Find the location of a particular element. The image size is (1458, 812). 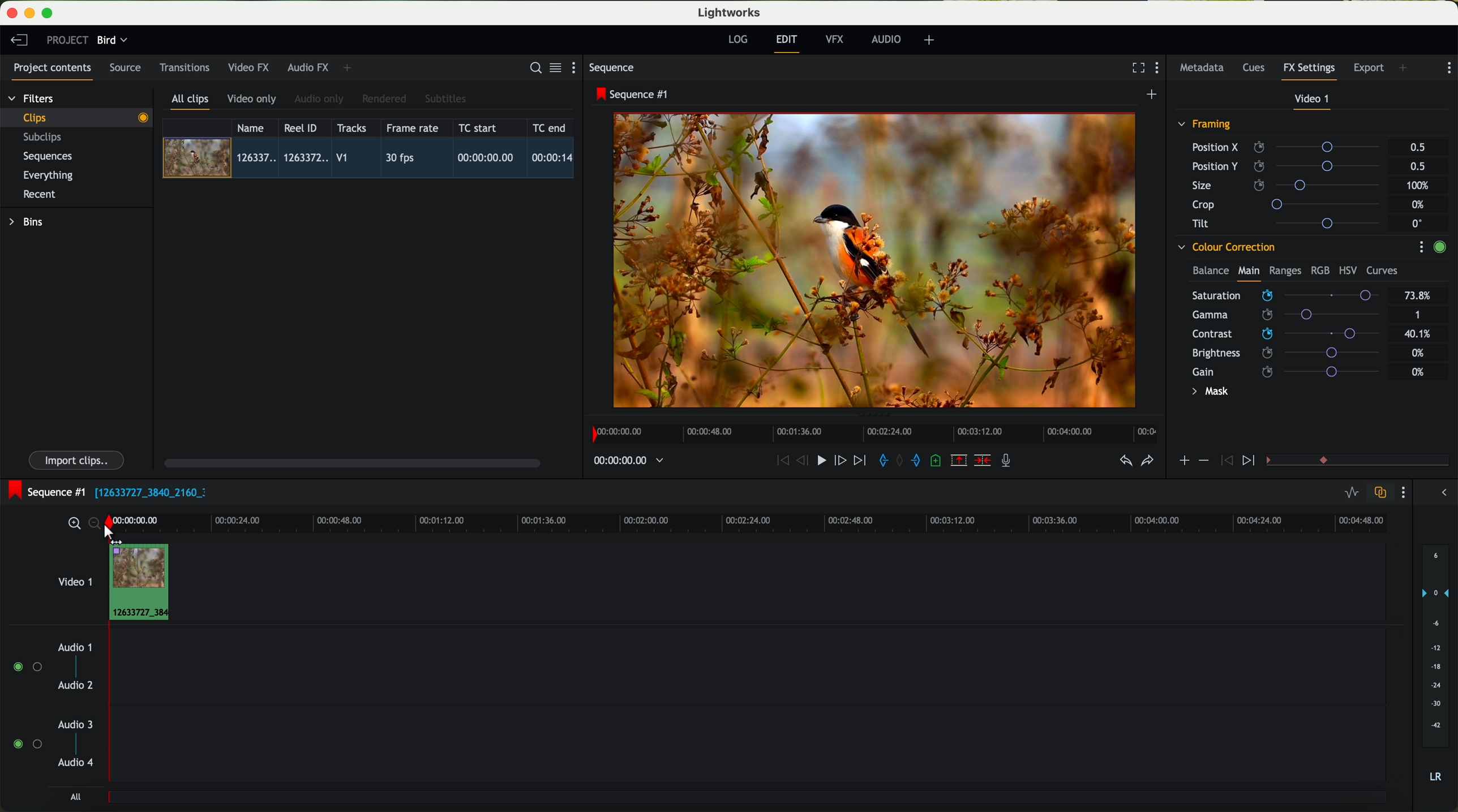

colour correction is located at coordinates (1225, 247).